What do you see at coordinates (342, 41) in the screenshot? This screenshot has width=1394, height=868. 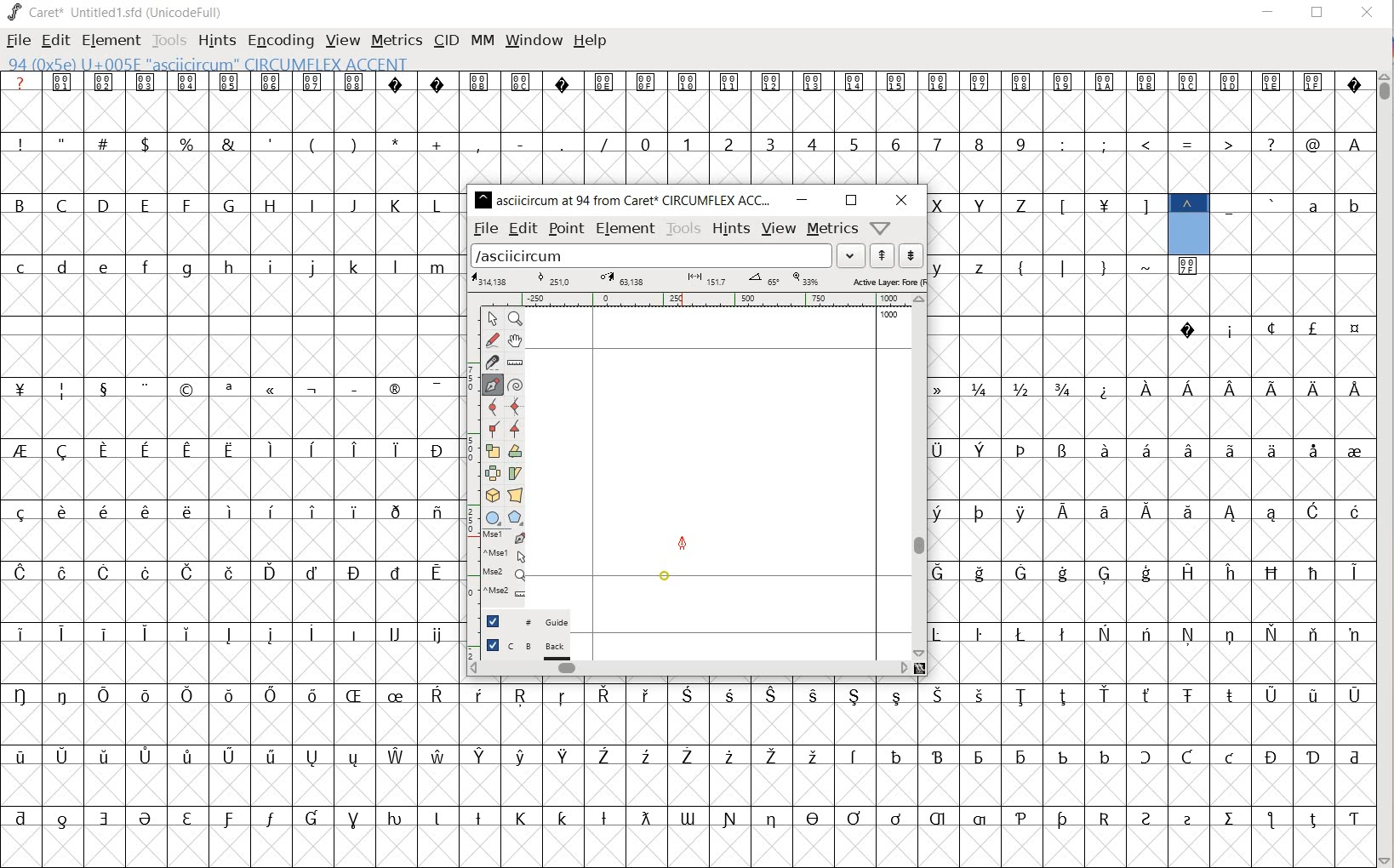 I see `VIEW` at bounding box center [342, 41].